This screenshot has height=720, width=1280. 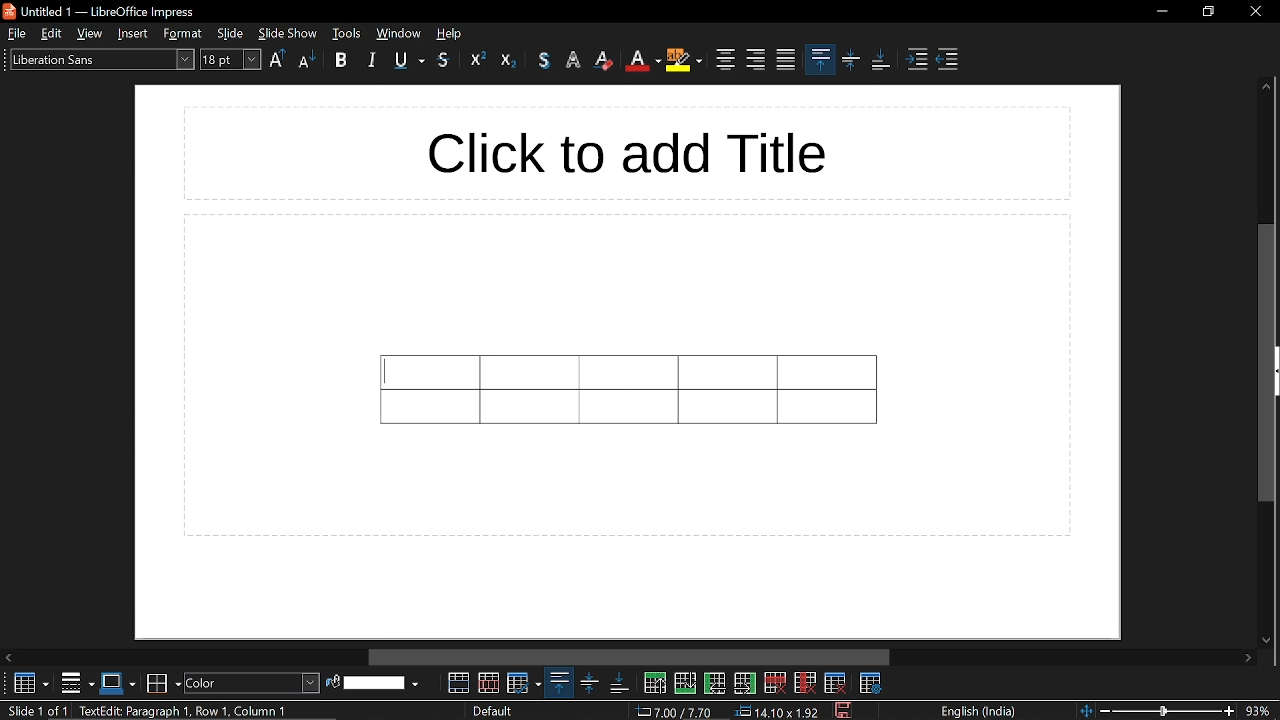 I want to click on lower case, so click(x=309, y=59).